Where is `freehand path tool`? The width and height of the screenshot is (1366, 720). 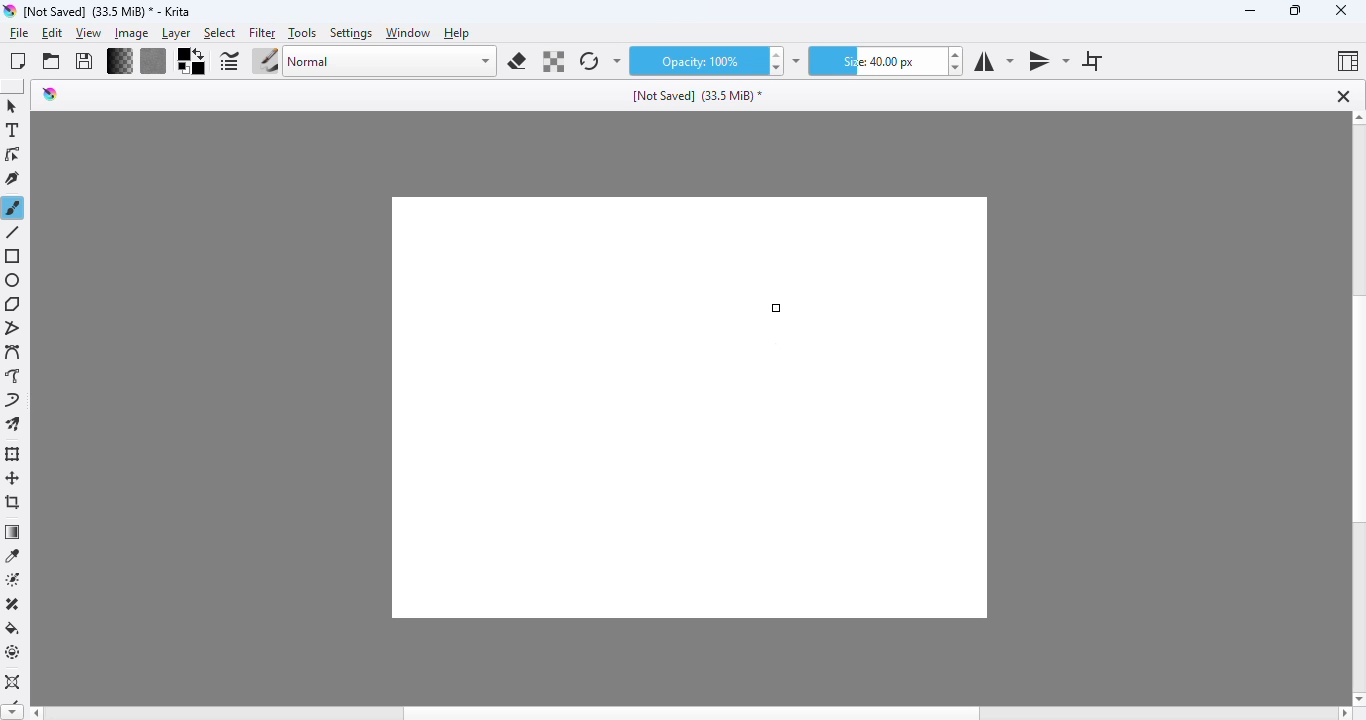 freehand path tool is located at coordinates (15, 376).